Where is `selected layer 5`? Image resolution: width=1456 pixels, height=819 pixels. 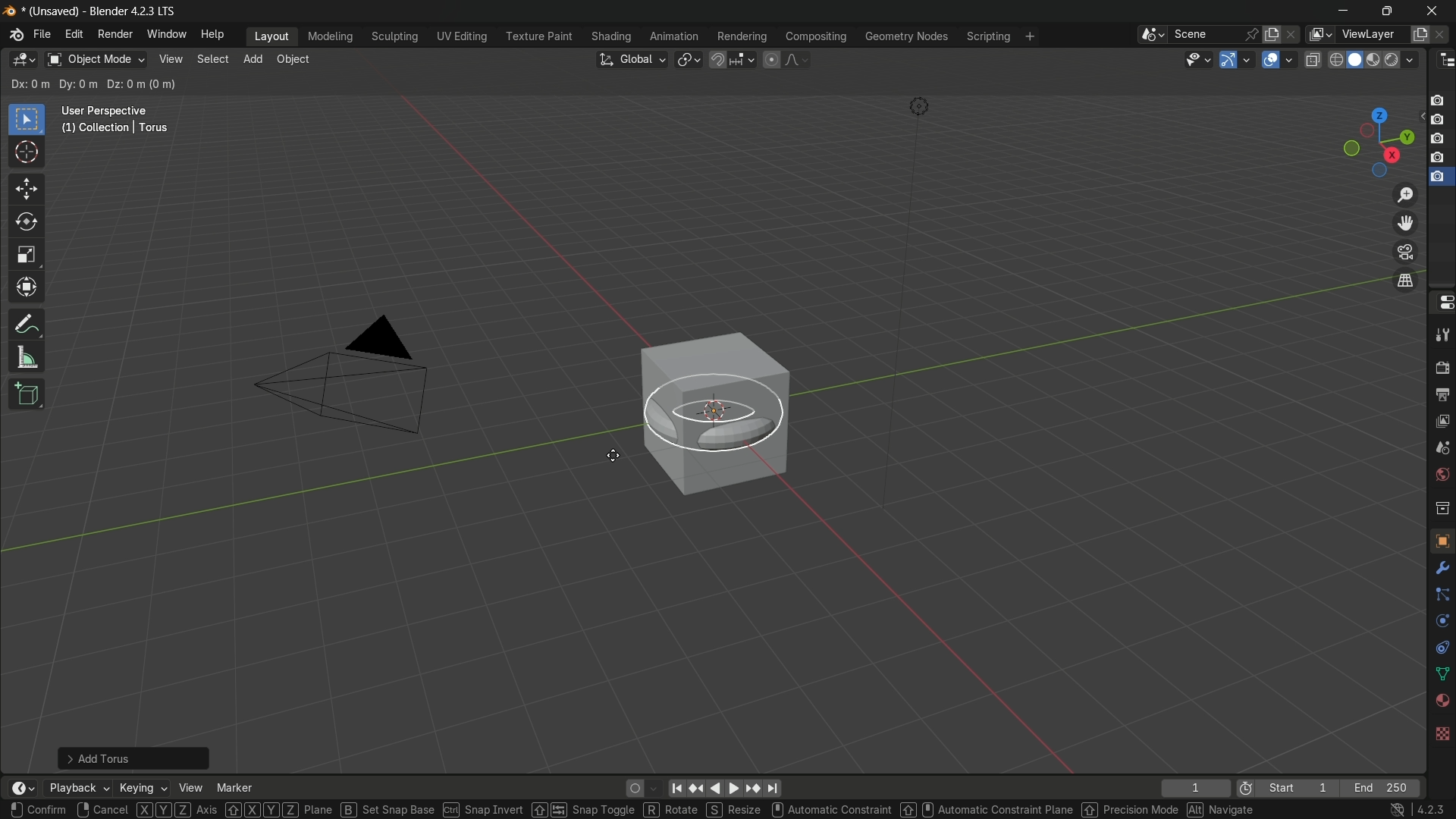
selected layer 5 is located at coordinates (1439, 178).